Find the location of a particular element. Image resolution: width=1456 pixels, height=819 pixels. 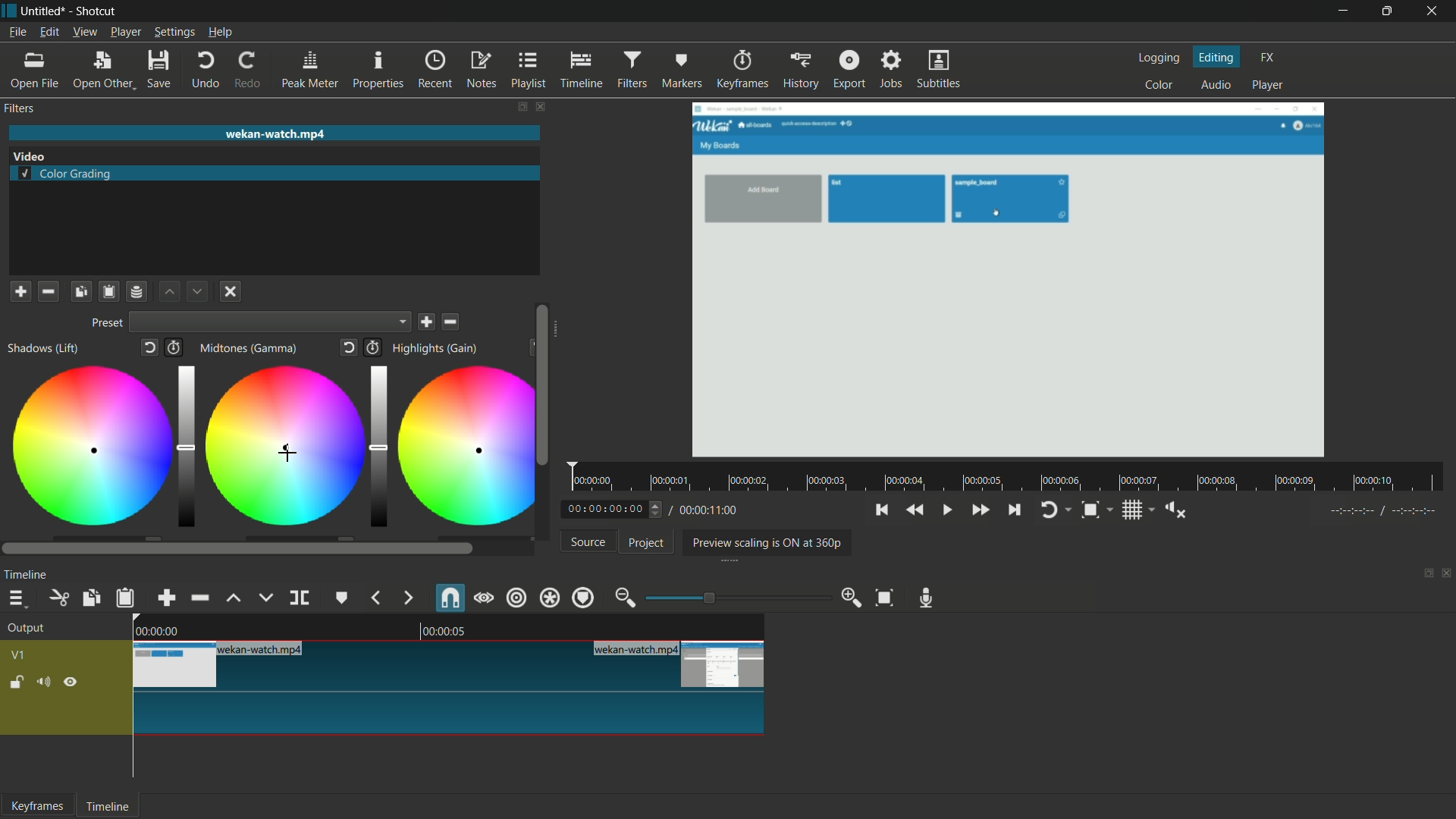

logging is located at coordinates (1157, 58).